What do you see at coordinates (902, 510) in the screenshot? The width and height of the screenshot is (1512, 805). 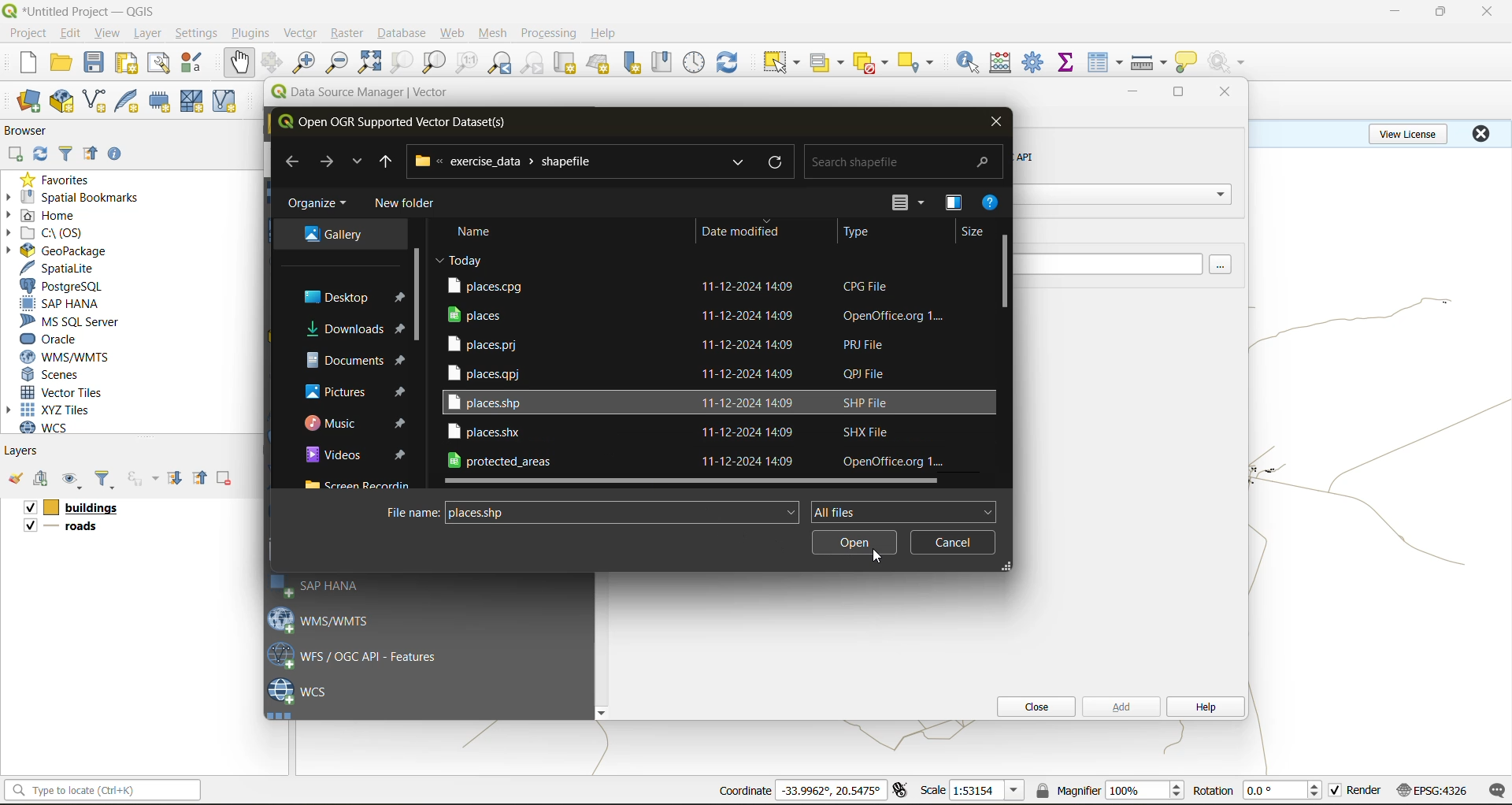 I see `all files` at bounding box center [902, 510].